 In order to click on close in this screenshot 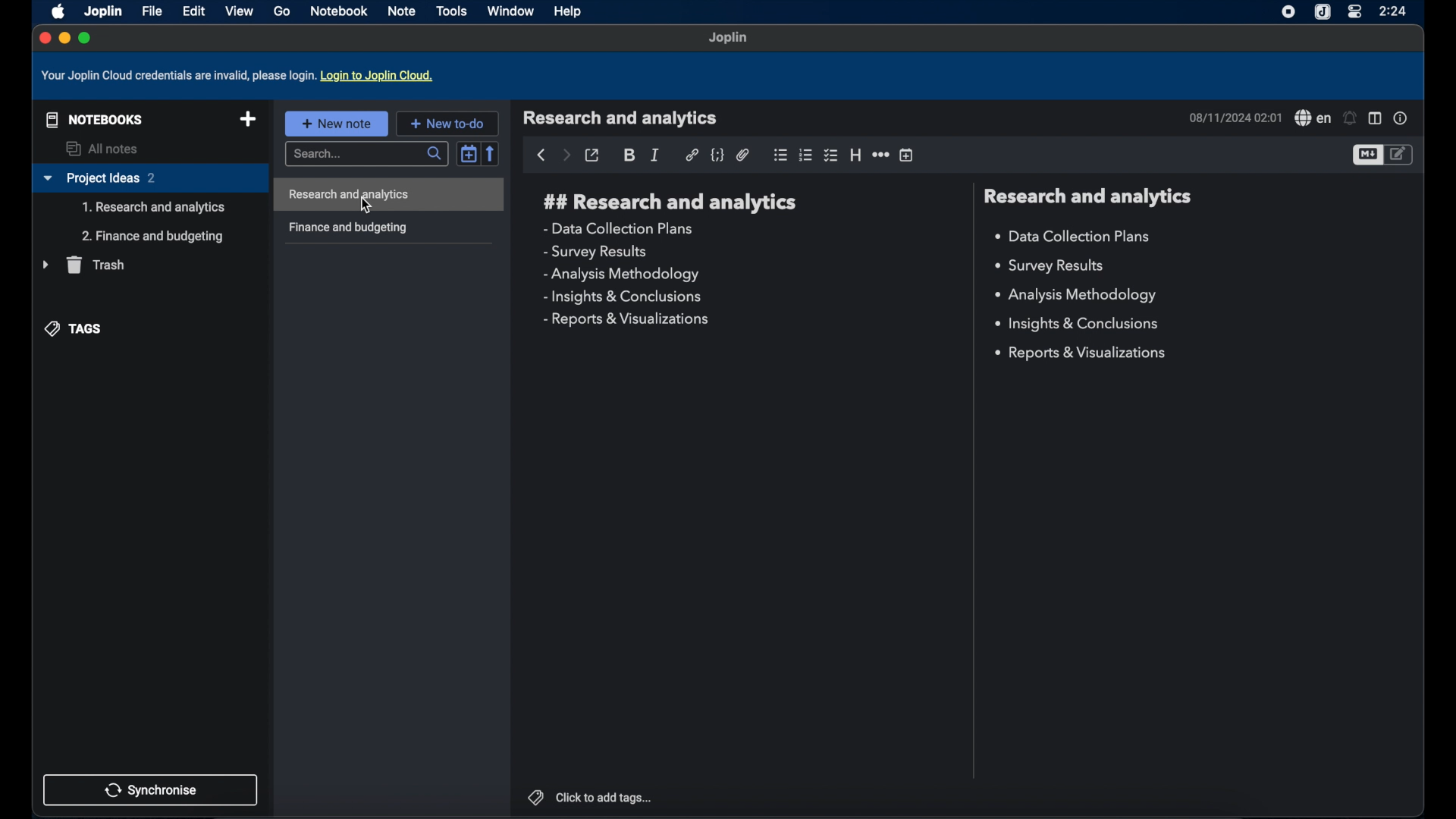, I will do `click(43, 37)`.